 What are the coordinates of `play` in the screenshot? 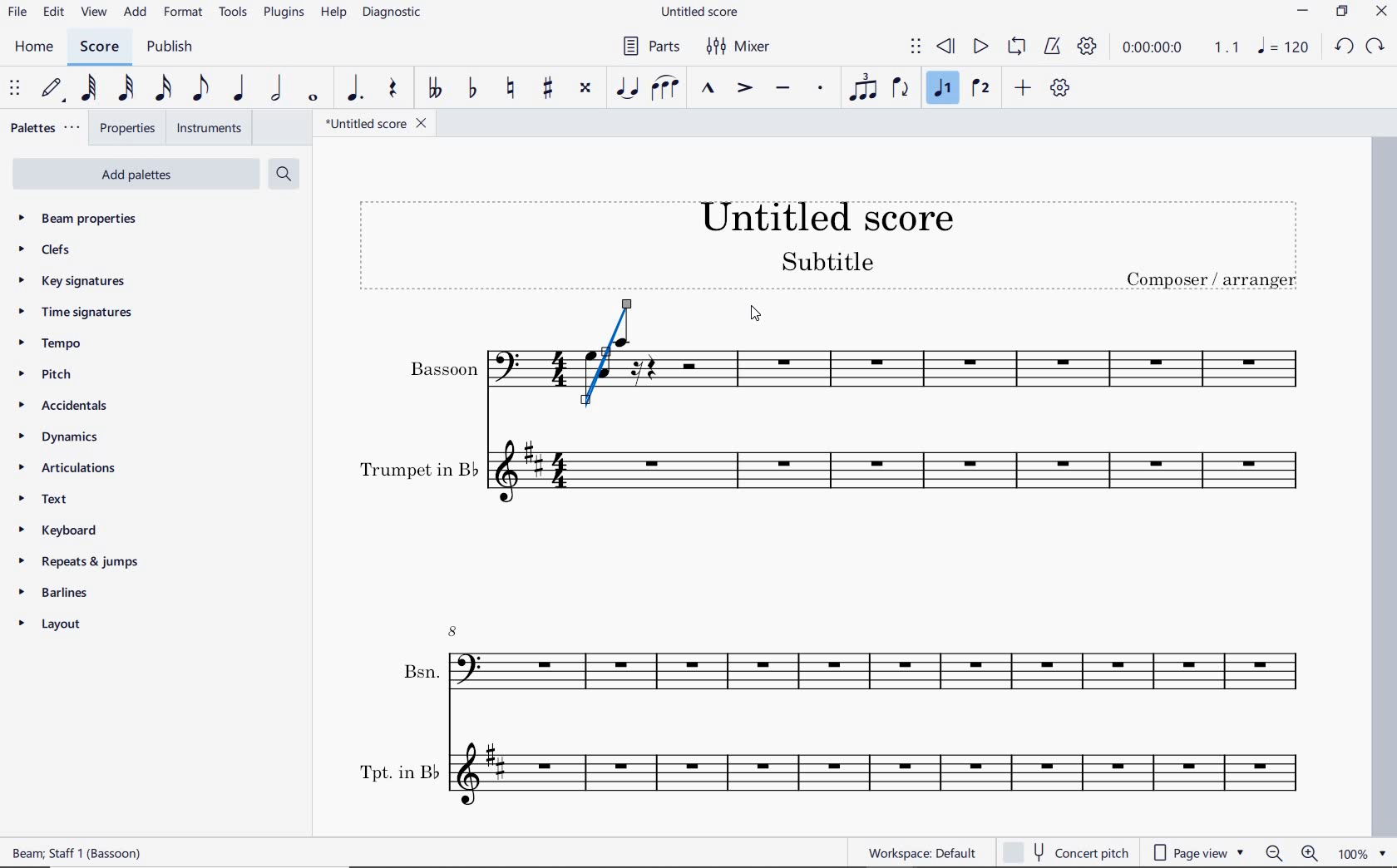 It's located at (980, 47).